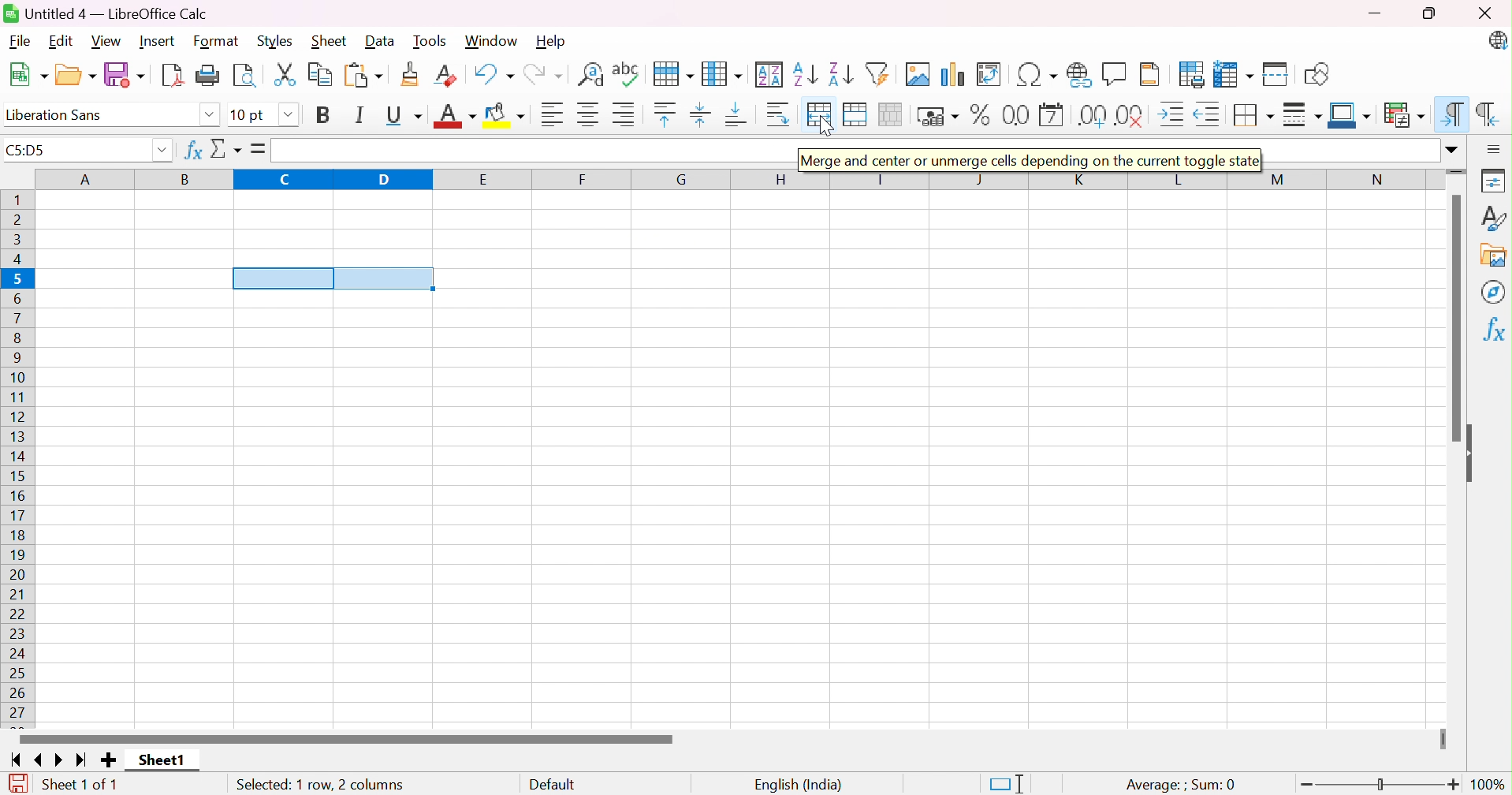 This screenshot has height=795, width=1512. Describe the element at coordinates (1005, 782) in the screenshot. I see `Standard Selection. Click to change selection mode.` at that location.